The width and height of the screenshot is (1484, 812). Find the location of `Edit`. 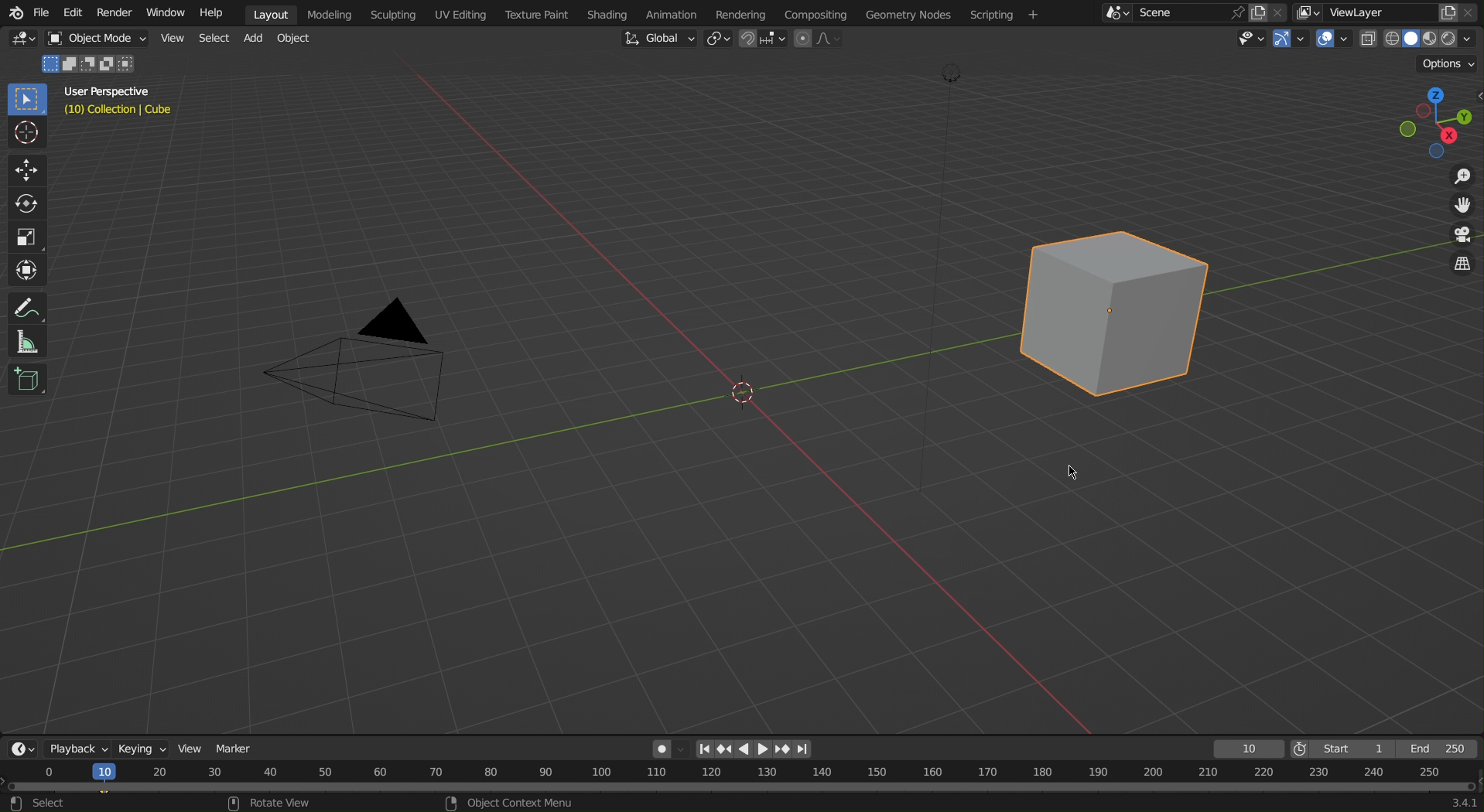

Edit is located at coordinates (70, 12).